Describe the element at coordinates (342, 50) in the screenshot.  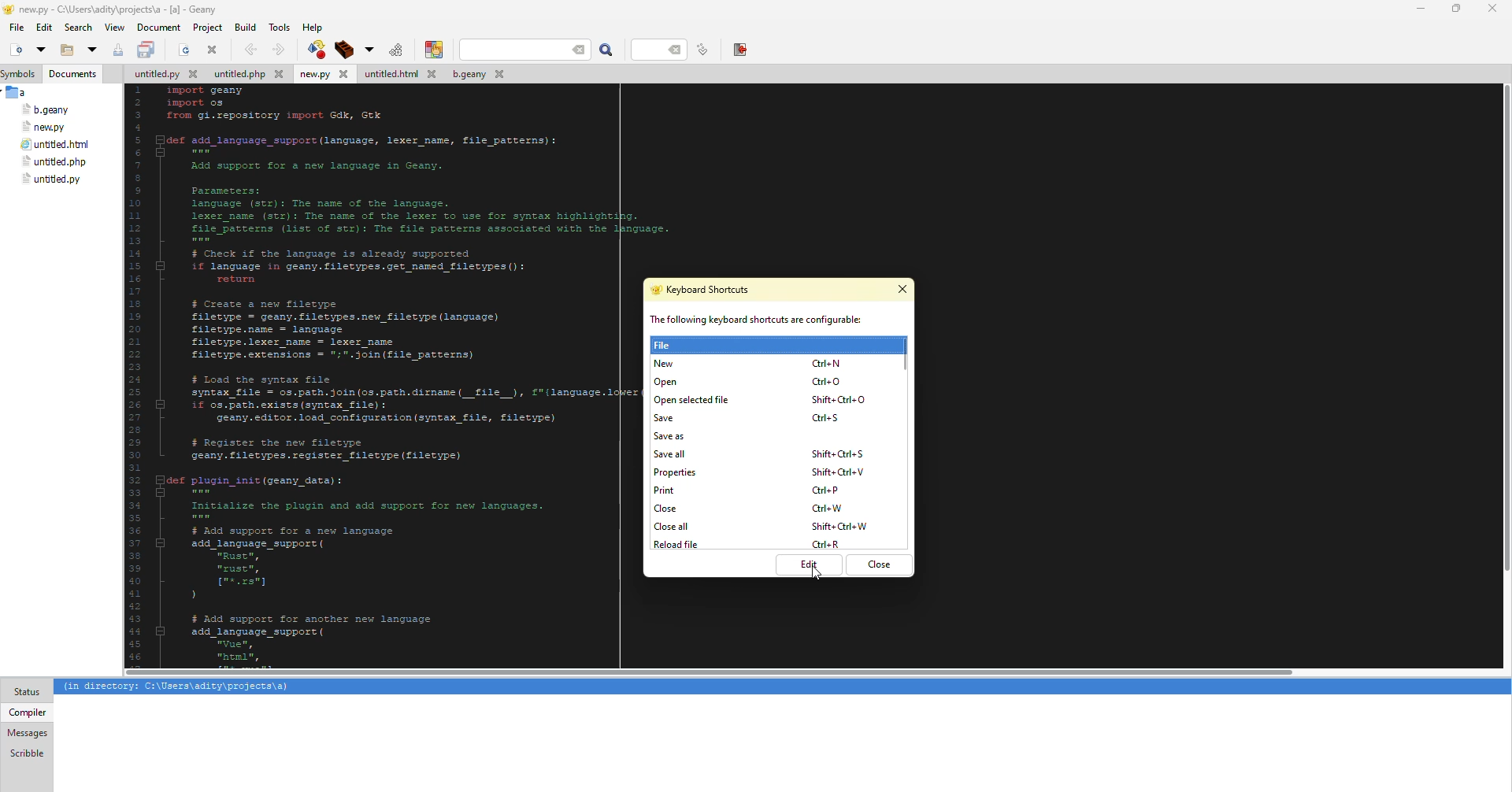
I see `build` at that location.